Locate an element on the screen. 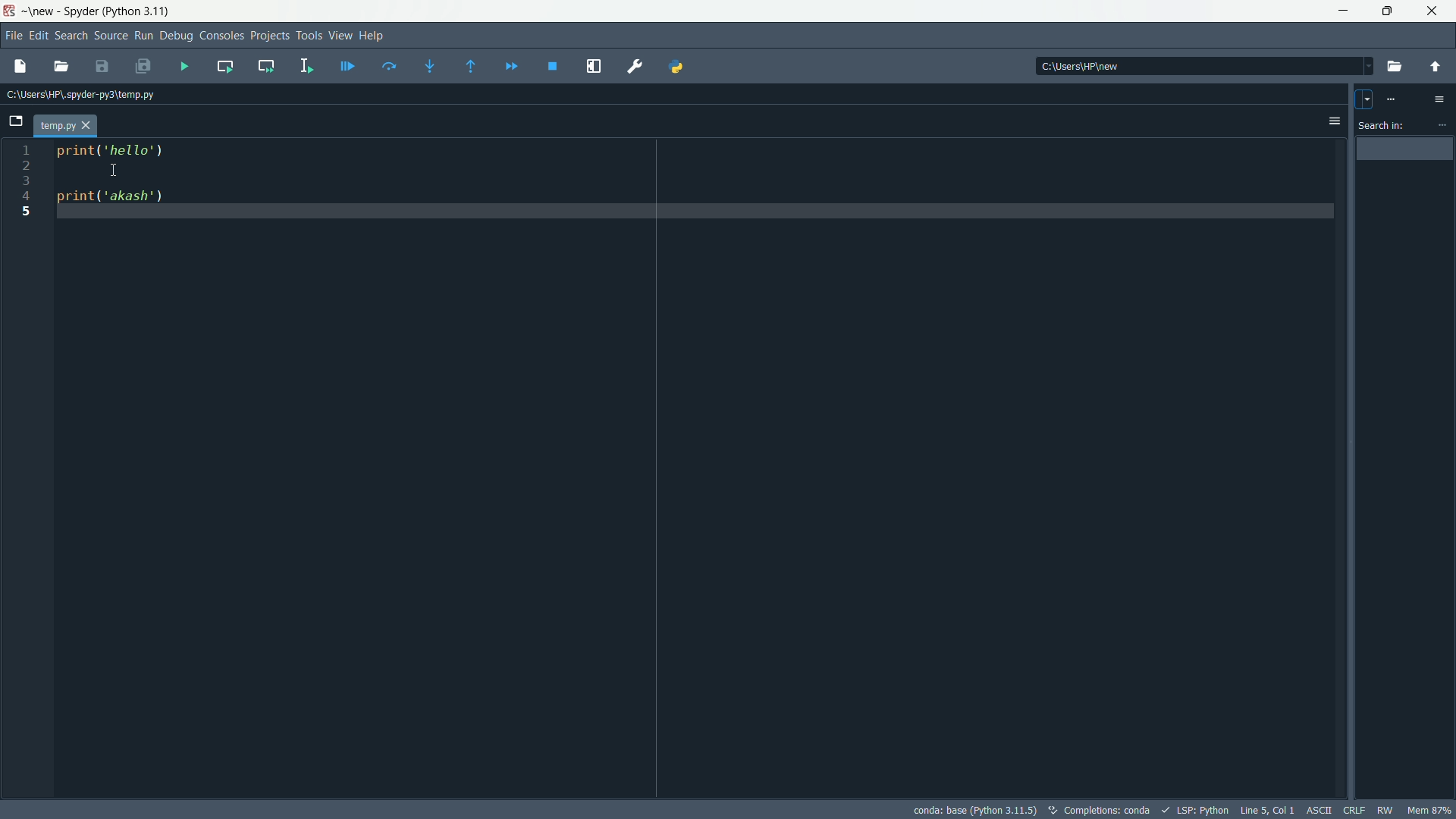  cursor is located at coordinates (112, 170).